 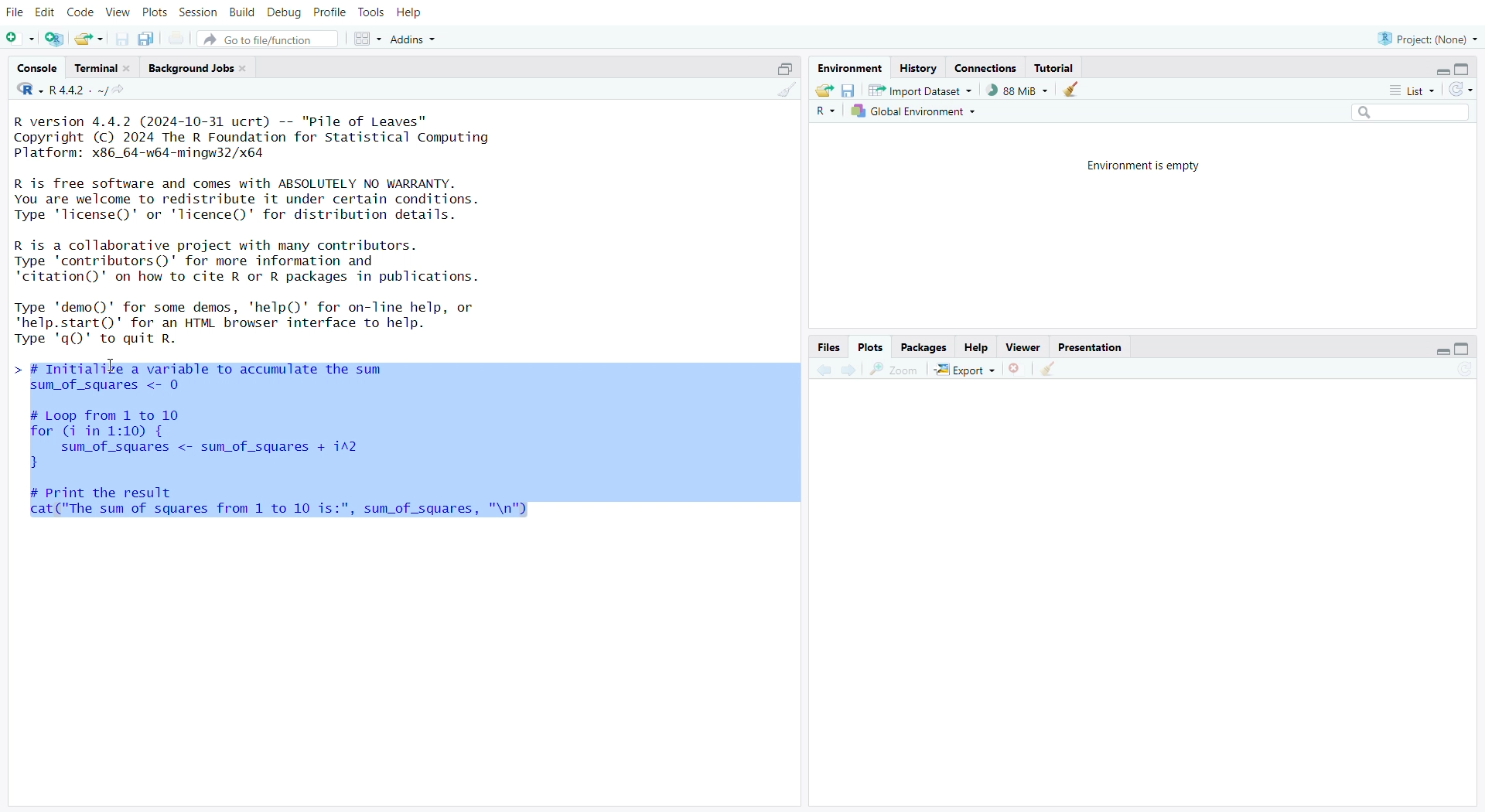 What do you see at coordinates (1468, 368) in the screenshot?
I see `refresh current plot` at bounding box center [1468, 368].